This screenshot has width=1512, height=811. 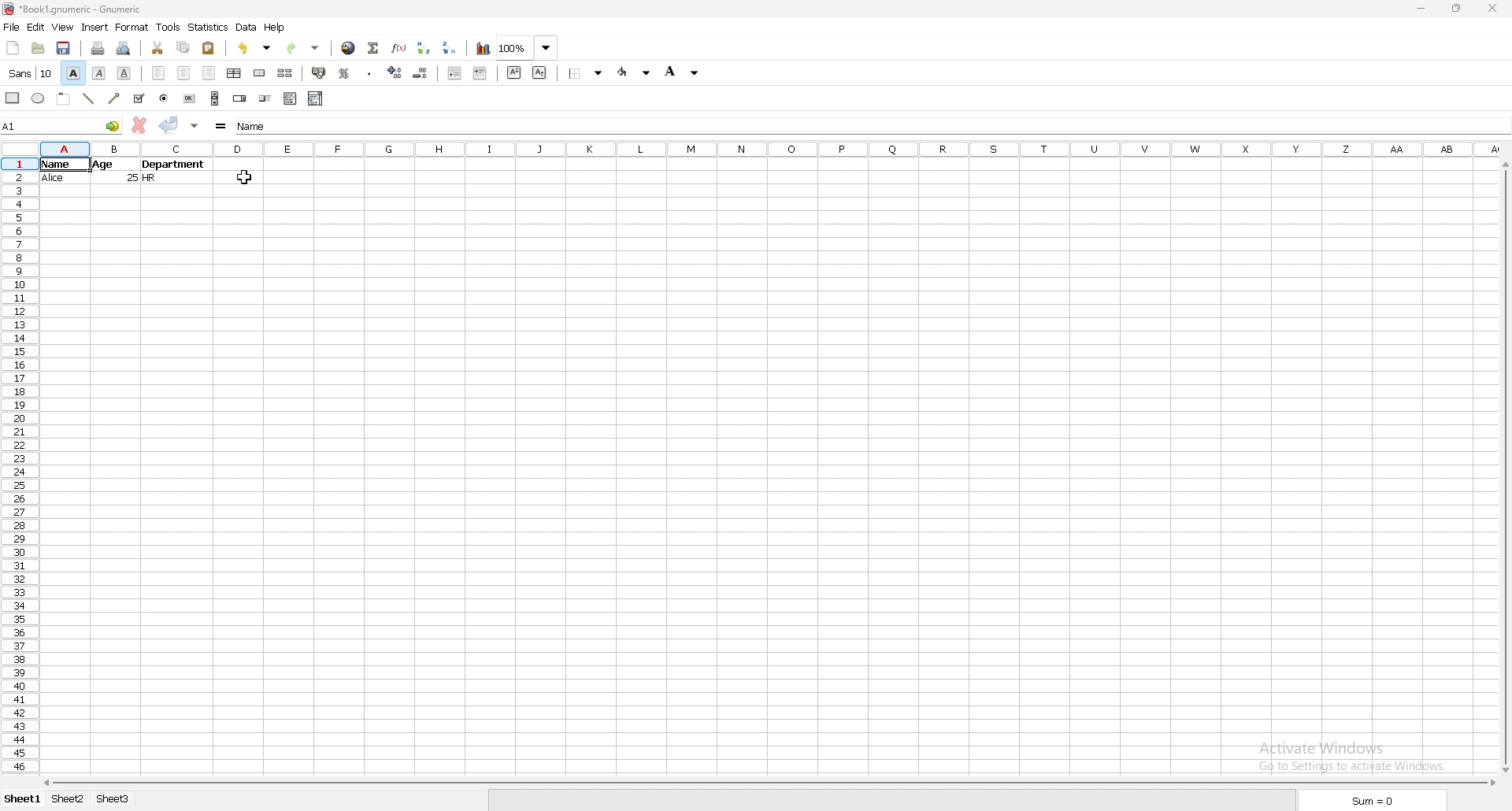 I want to click on background, so click(x=681, y=72).